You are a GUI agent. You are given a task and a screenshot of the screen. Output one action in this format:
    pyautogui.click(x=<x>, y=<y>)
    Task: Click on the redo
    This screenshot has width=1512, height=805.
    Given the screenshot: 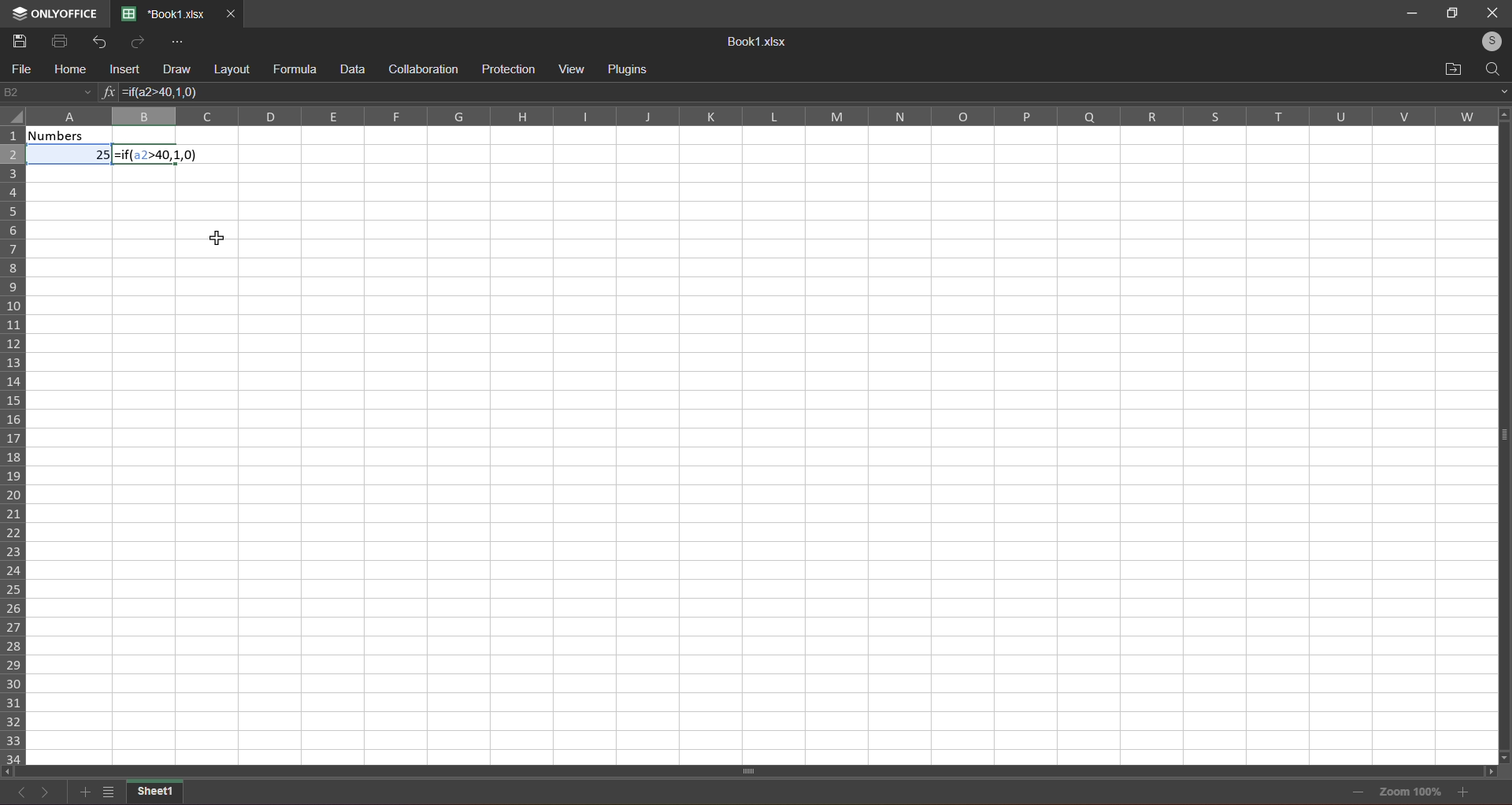 What is the action you would take?
    pyautogui.click(x=135, y=42)
    